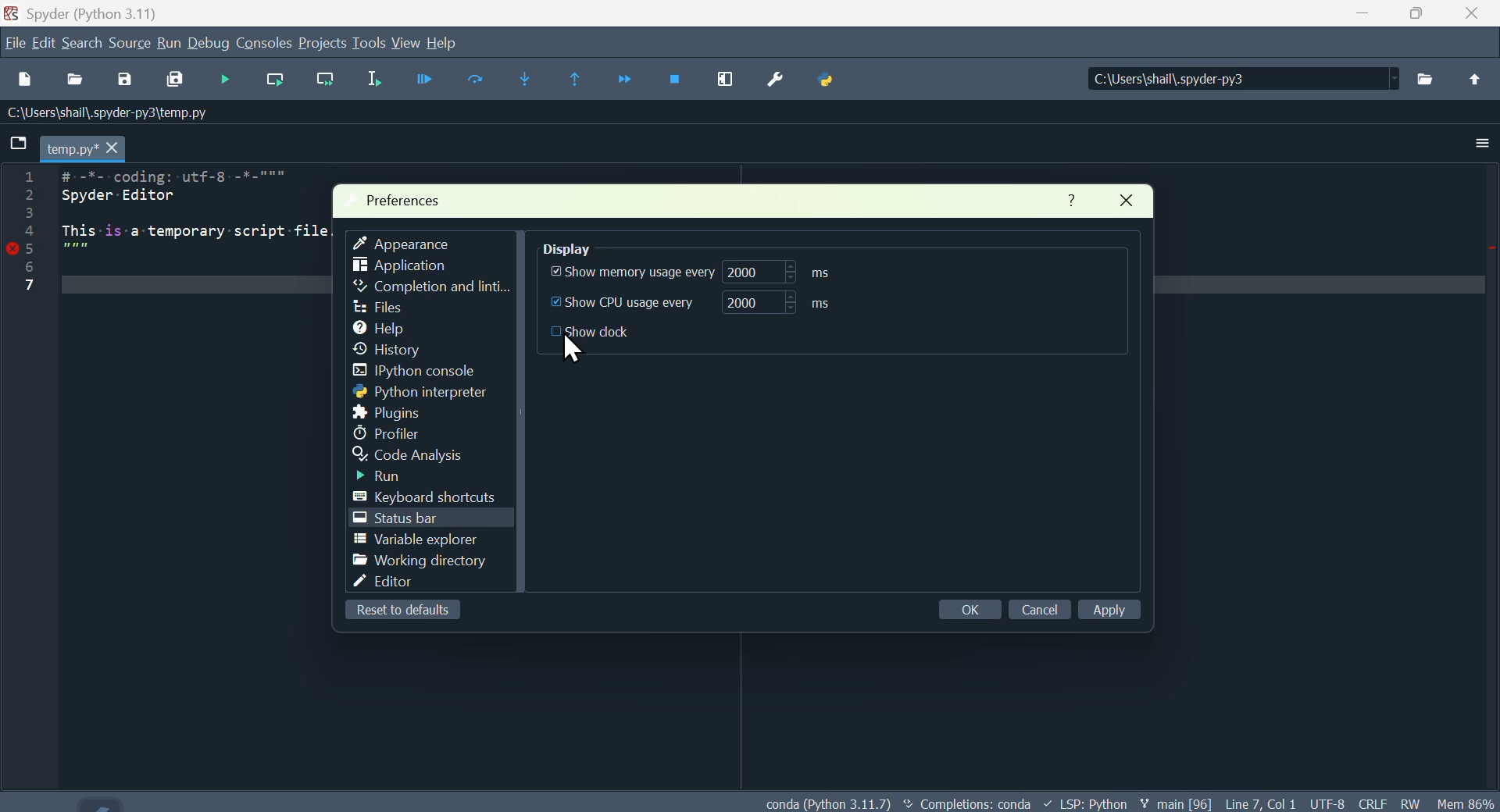 The width and height of the screenshot is (1500, 812). What do you see at coordinates (1227, 80) in the screenshot?
I see `C:\Users\shail\.spyder-py3` at bounding box center [1227, 80].